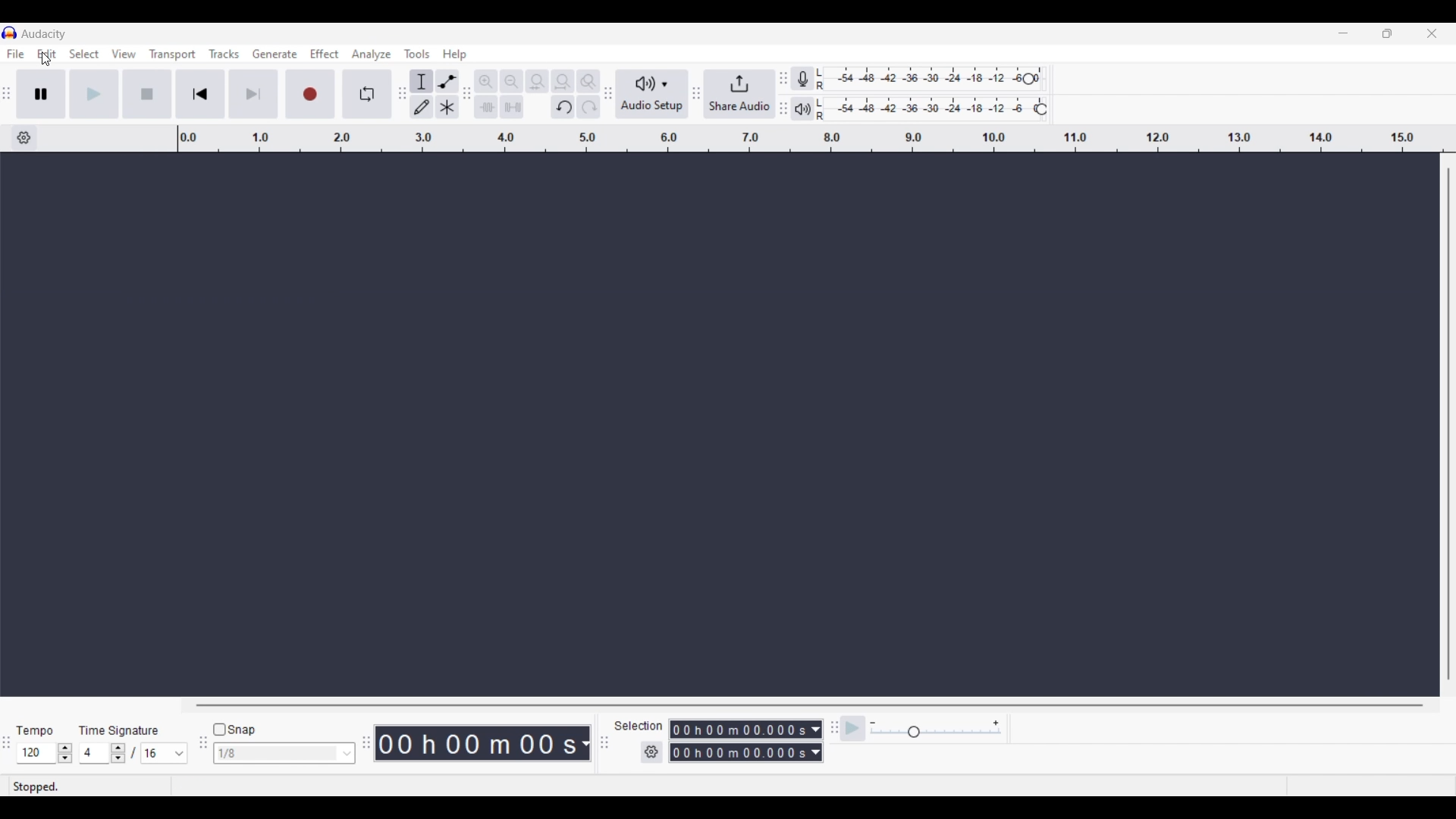 This screenshot has width=1456, height=819. Describe the element at coordinates (585, 743) in the screenshot. I see `Metrics to calculate recording` at that location.